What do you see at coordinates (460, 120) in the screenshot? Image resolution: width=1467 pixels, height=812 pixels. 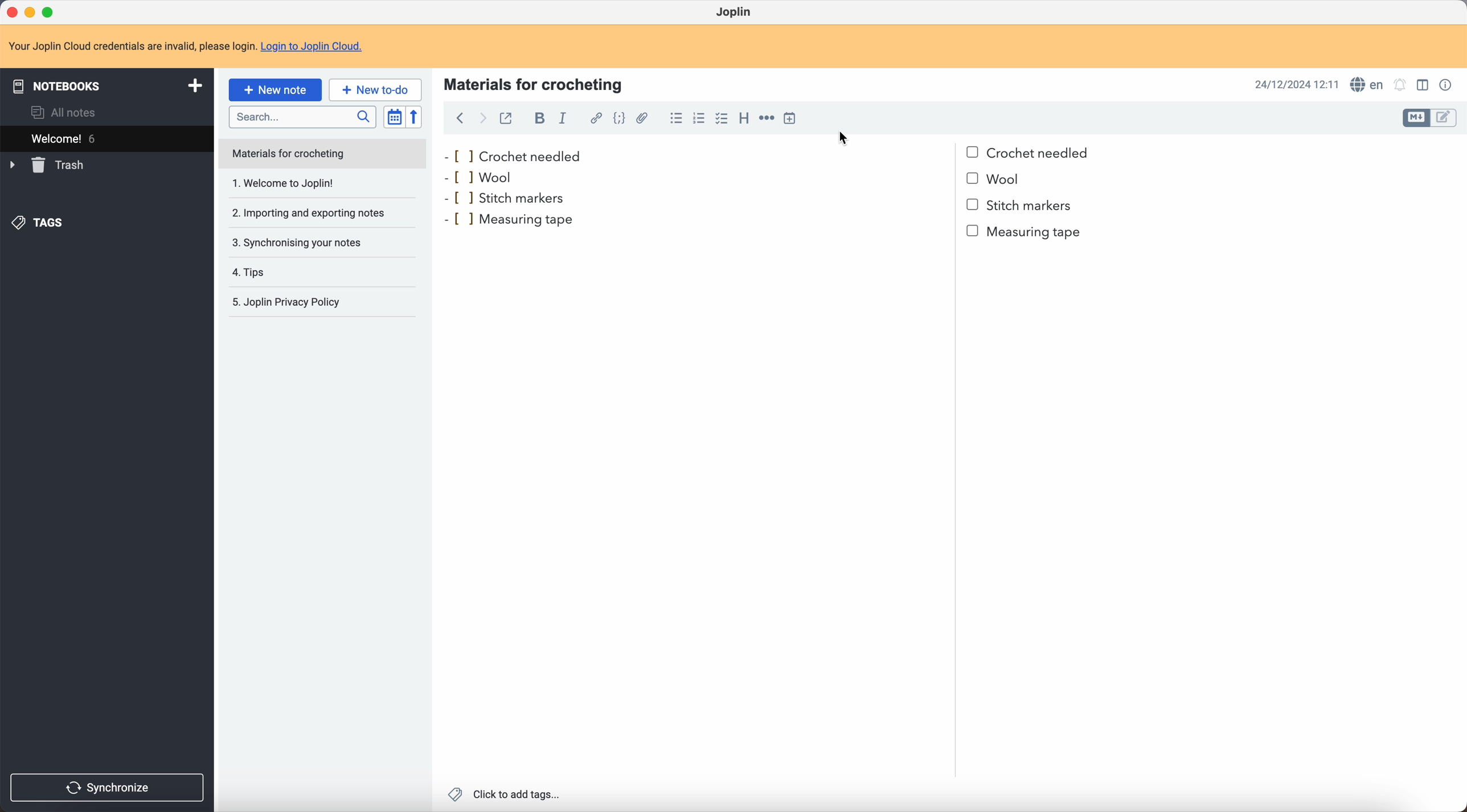 I see `back` at bounding box center [460, 120].